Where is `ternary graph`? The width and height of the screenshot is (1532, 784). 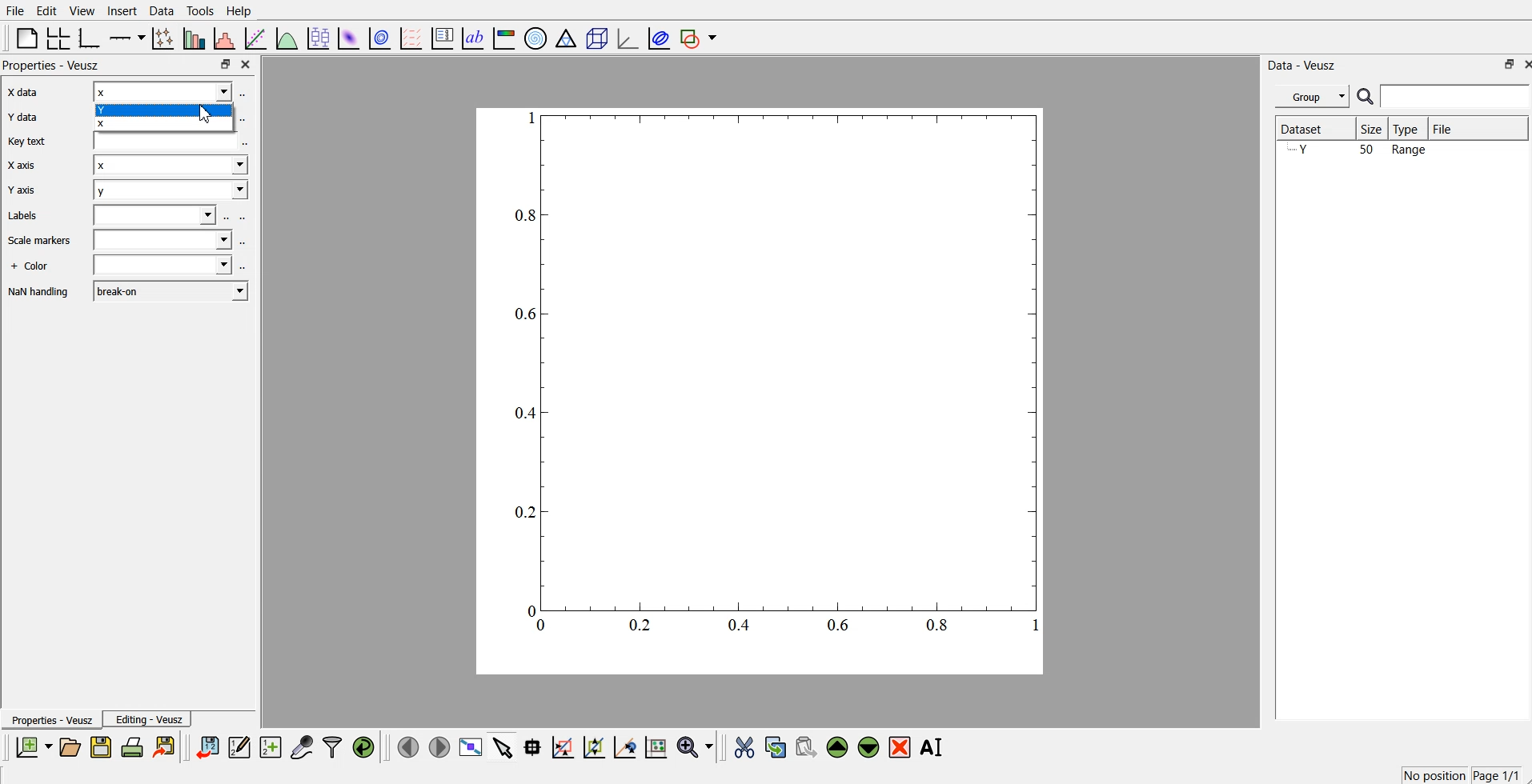
ternary graph is located at coordinates (566, 37).